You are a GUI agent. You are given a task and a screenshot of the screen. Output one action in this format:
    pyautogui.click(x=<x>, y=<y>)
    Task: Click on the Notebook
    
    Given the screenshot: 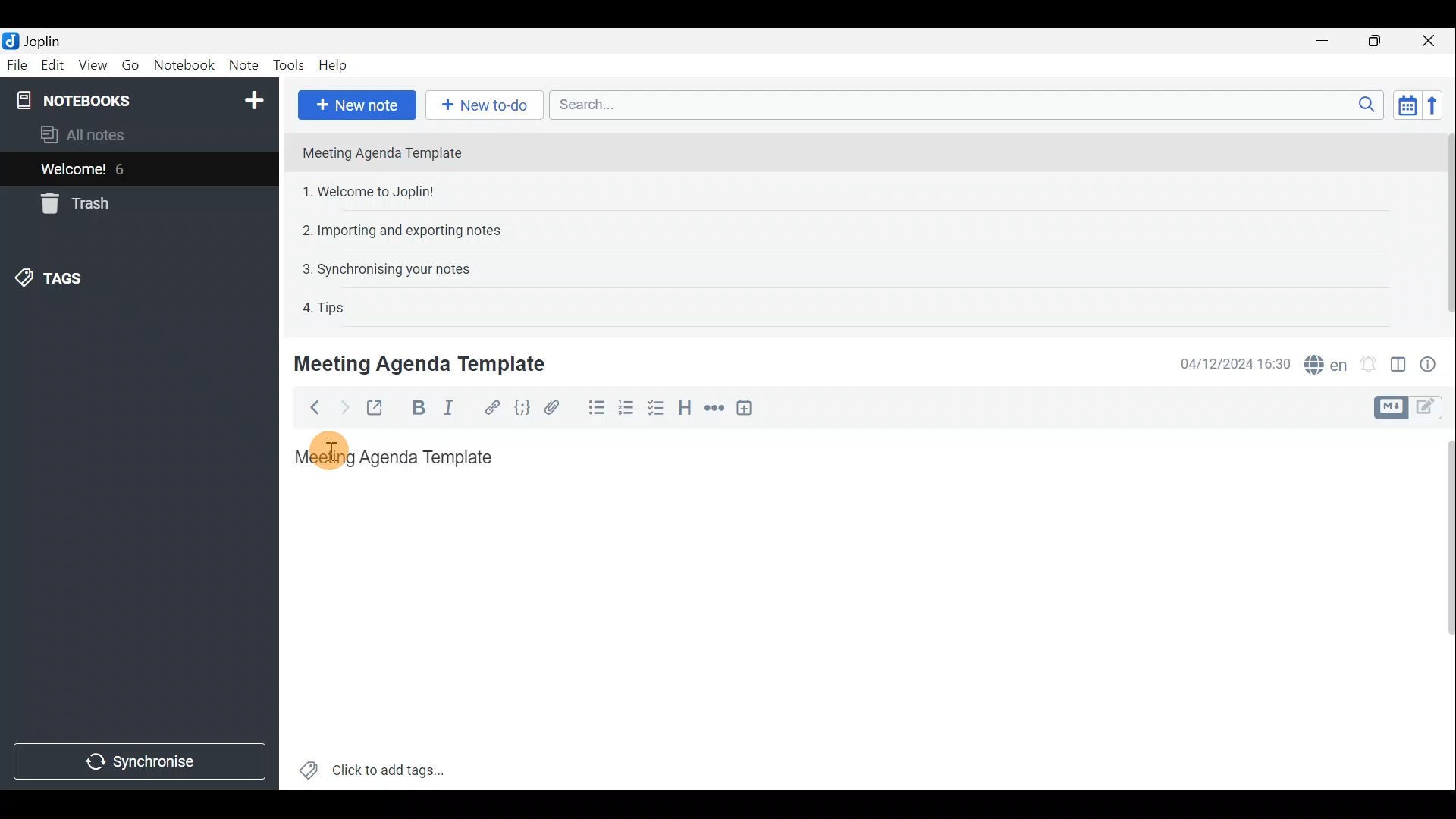 What is the action you would take?
    pyautogui.click(x=183, y=64)
    